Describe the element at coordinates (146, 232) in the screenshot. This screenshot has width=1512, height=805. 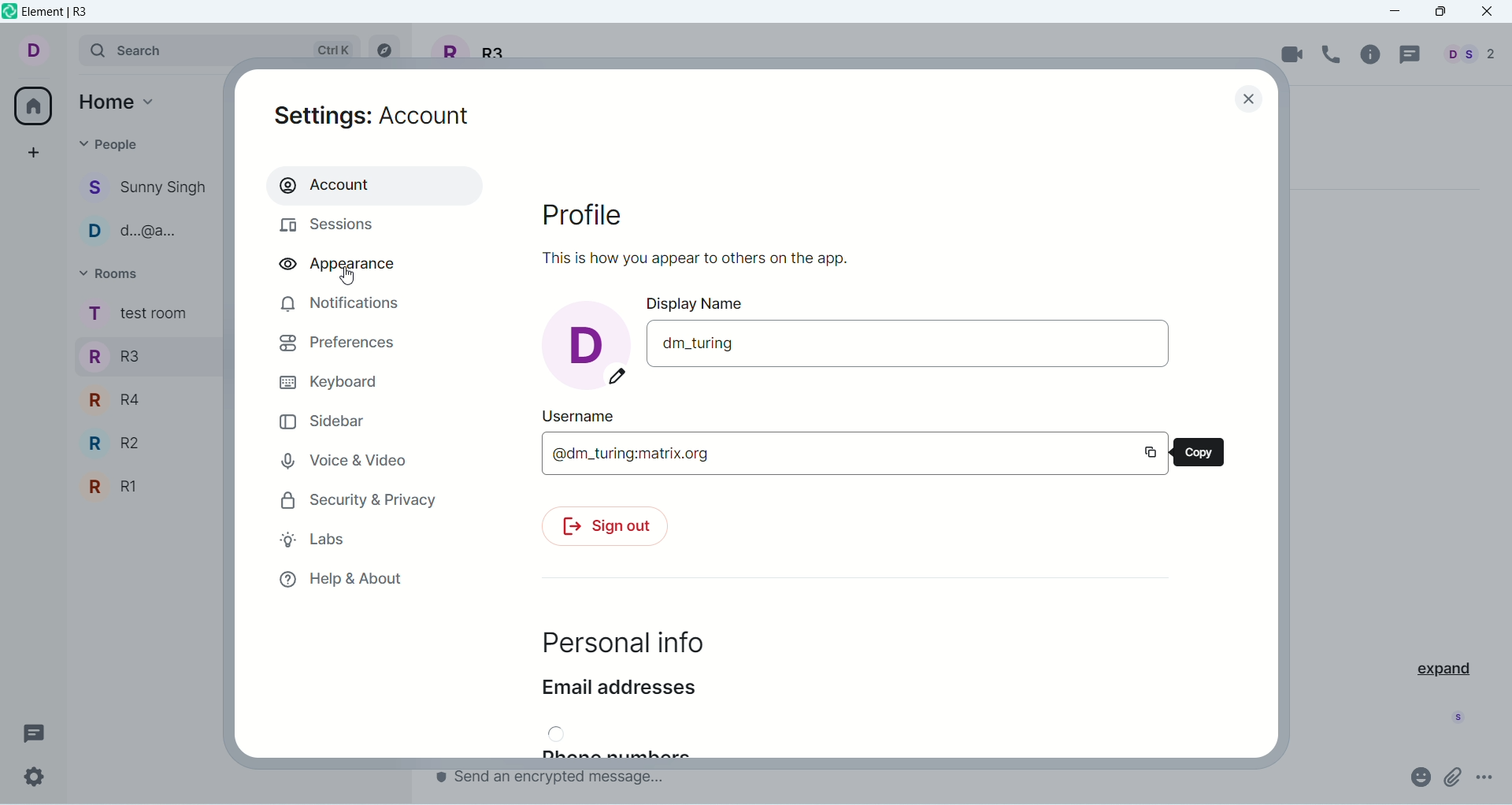
I see `people` at that location.